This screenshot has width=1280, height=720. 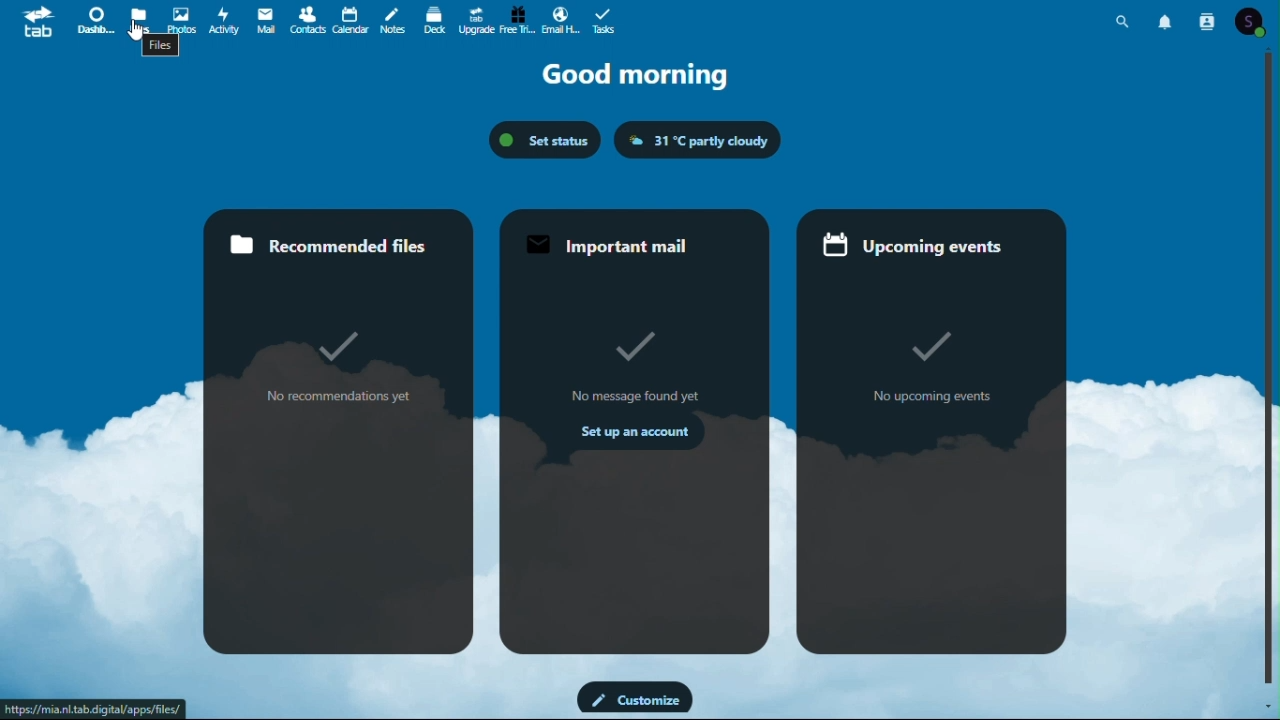 I want to click on https://mia.nl.tab.digital/apps/files/, so click(x=97, y=707).